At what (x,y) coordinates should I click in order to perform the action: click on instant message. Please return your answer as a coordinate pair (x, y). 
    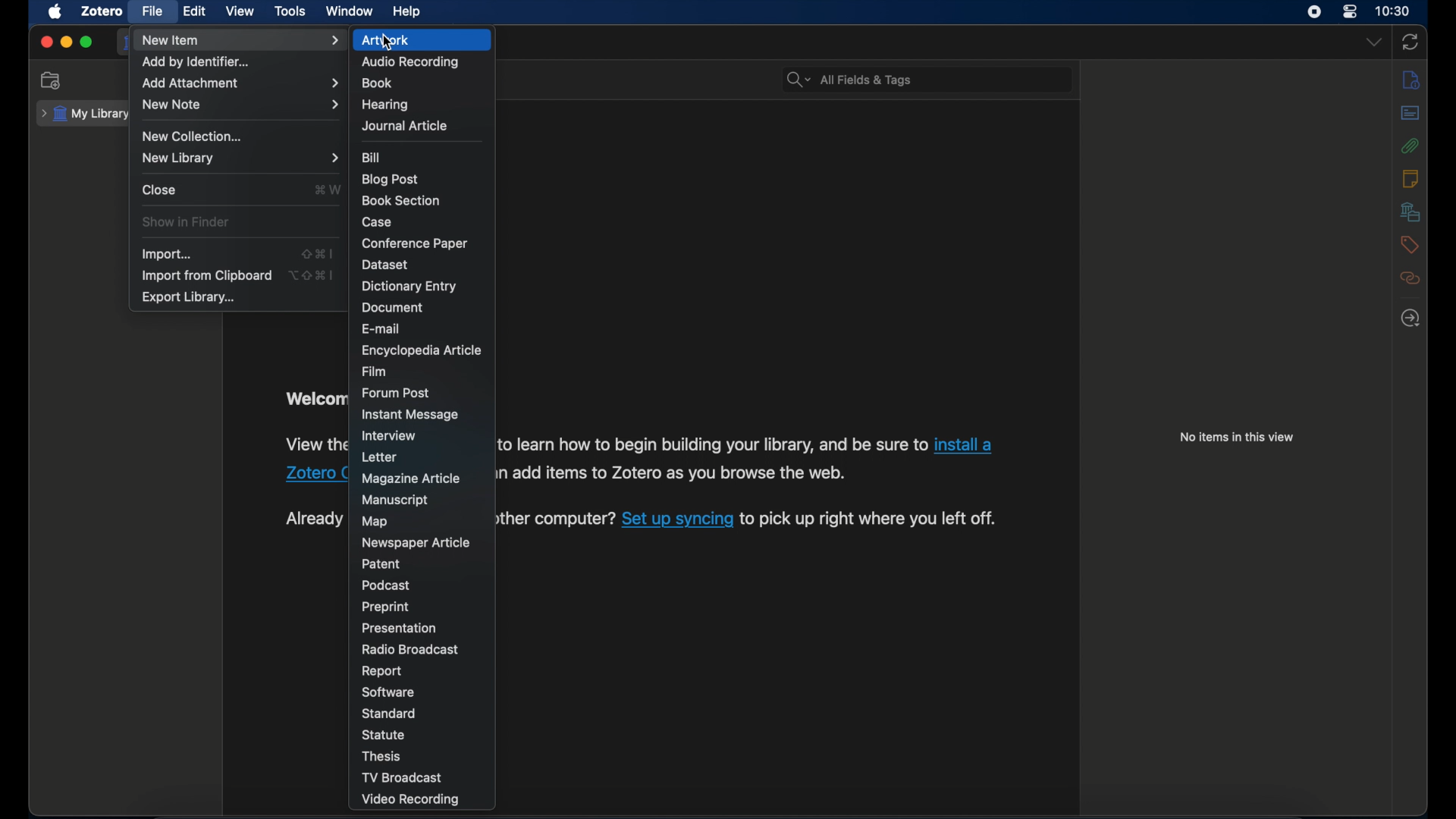
    Looking at the image, I should click on (409, 414).